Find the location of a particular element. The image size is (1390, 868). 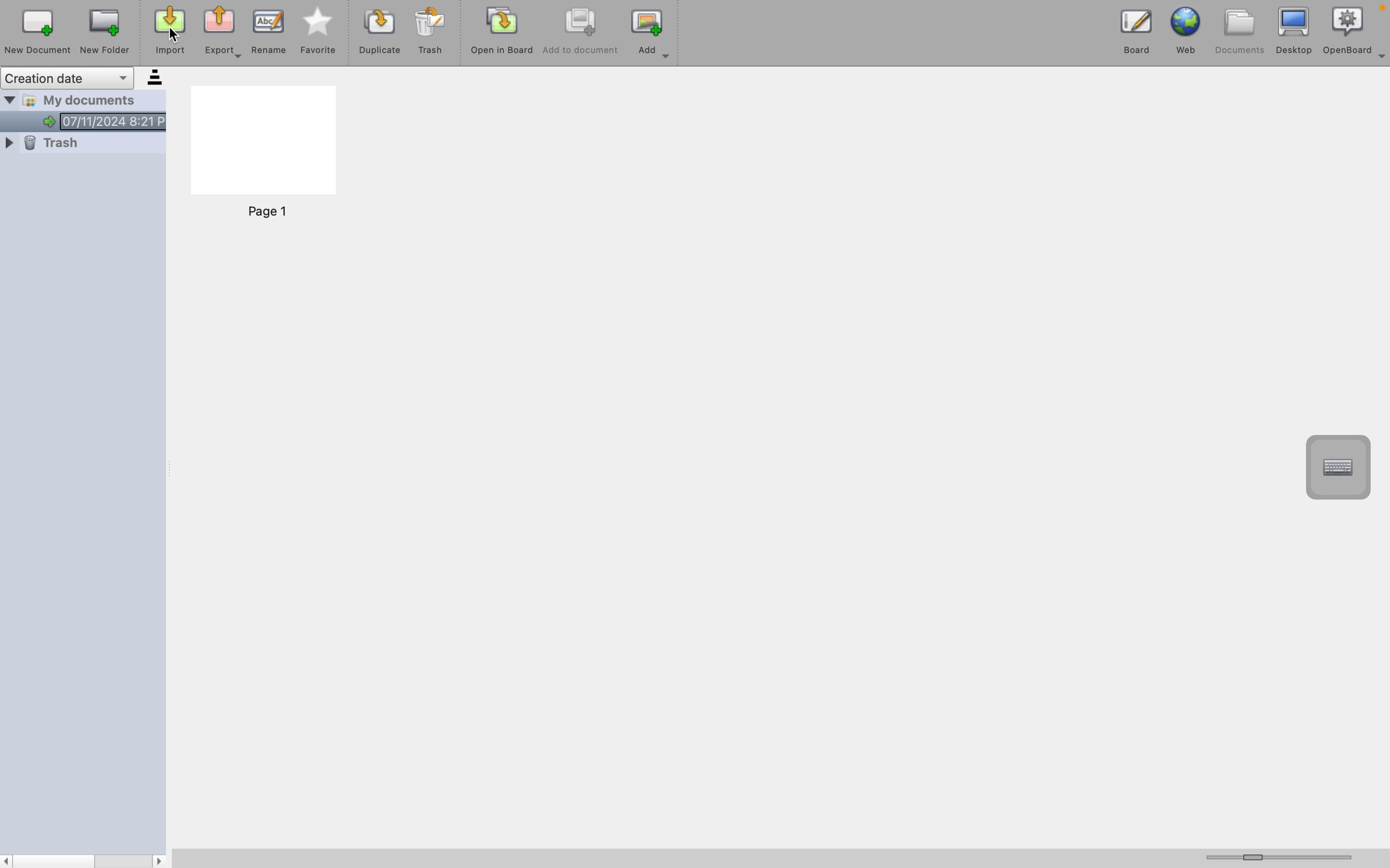

add is located at coordinates (652, 37).